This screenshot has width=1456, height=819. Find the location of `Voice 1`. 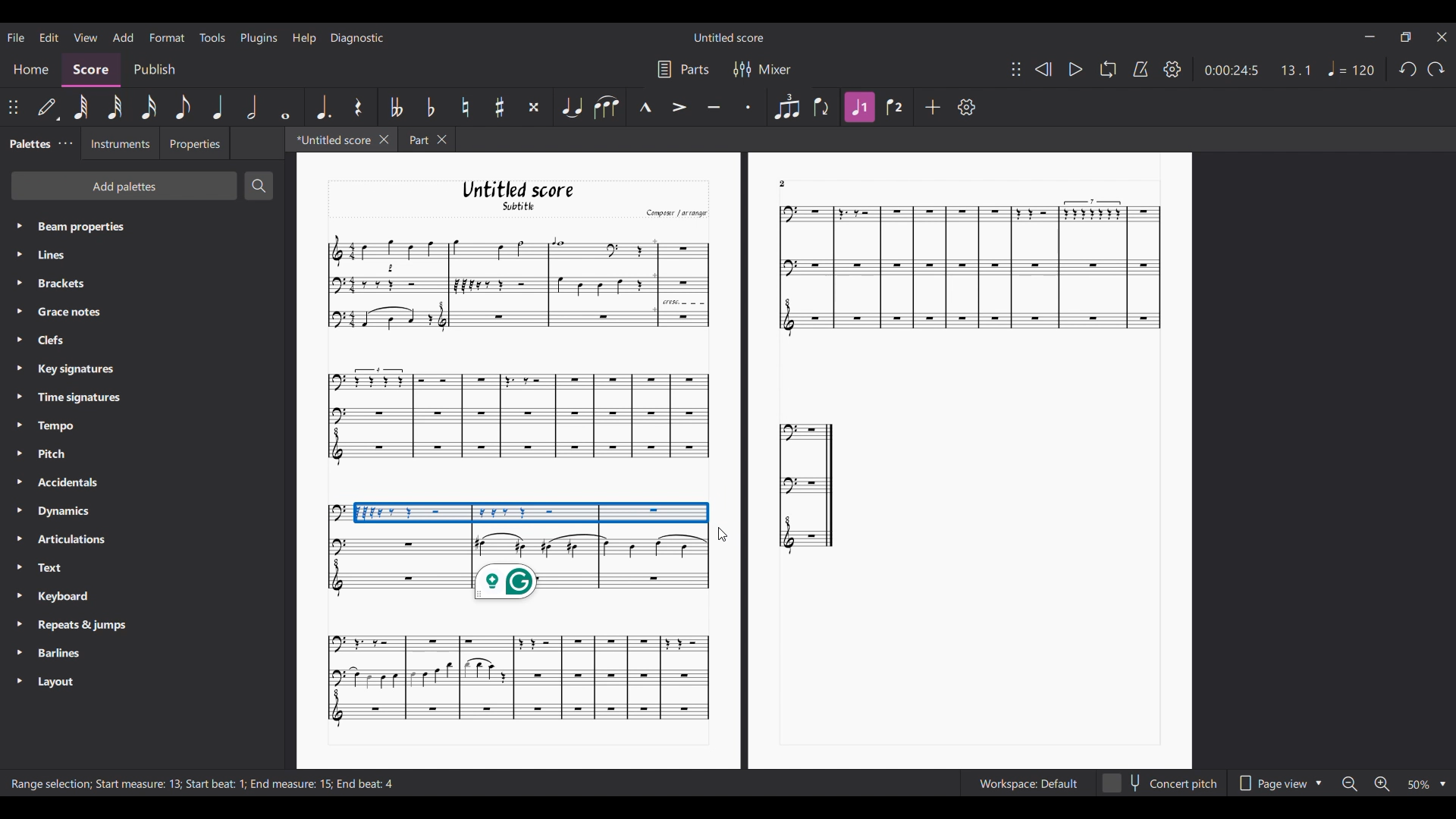

Voice 1 is located at coordinates (858, 107).